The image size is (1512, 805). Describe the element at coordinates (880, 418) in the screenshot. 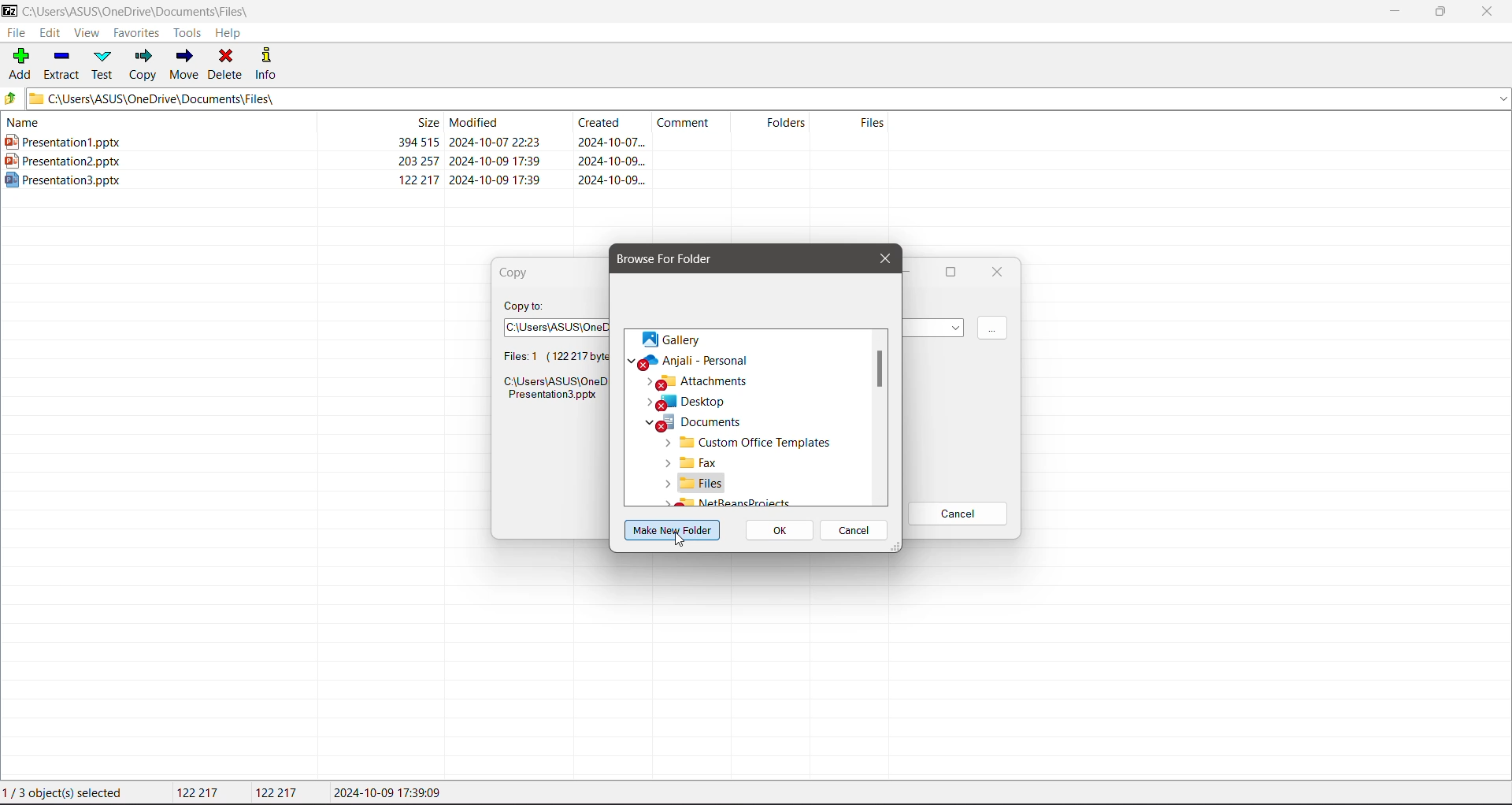

I see `vertical scroll bar` at that location.